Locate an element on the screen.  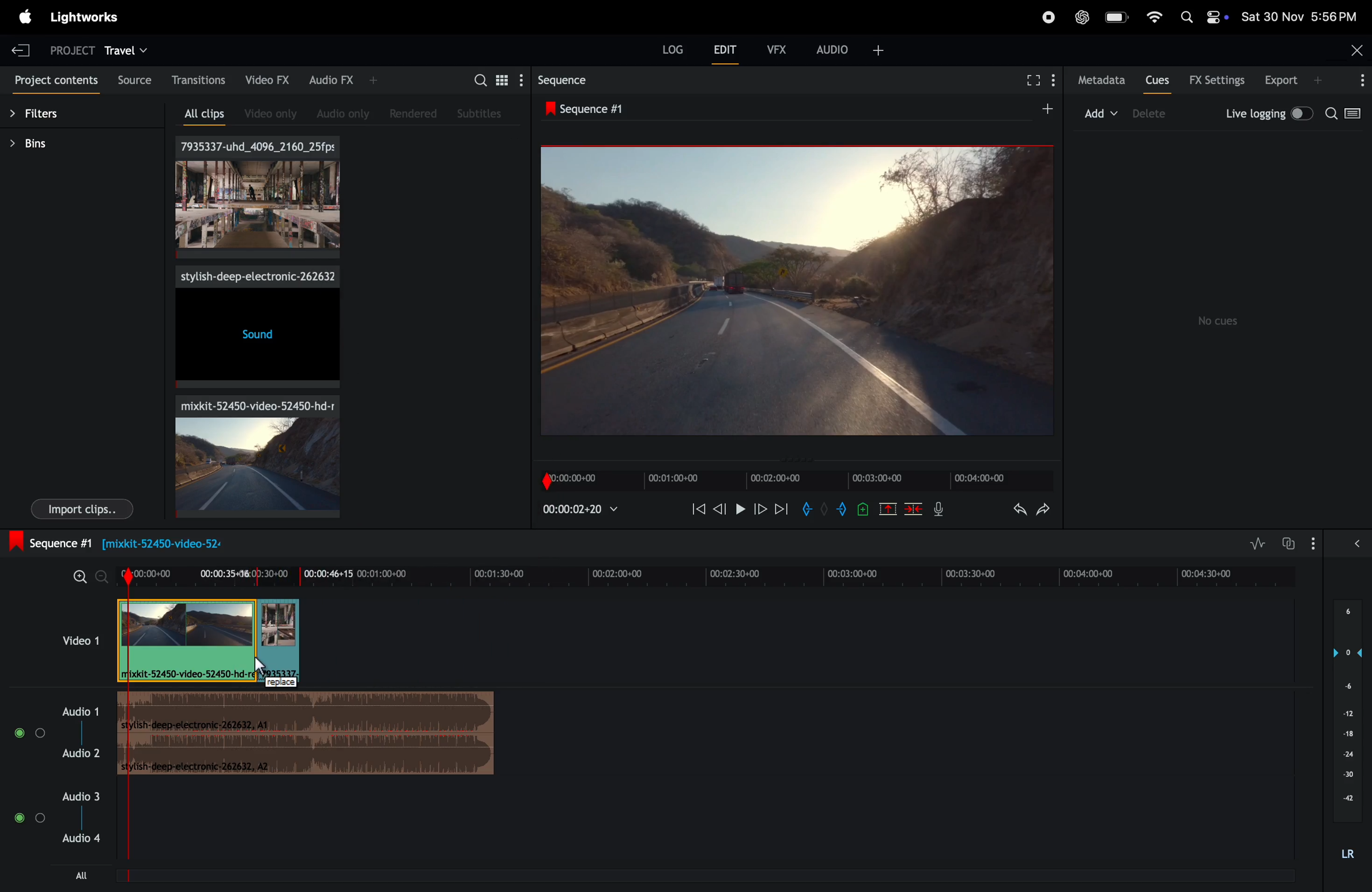
video clip is located at coordinates (187, 641).